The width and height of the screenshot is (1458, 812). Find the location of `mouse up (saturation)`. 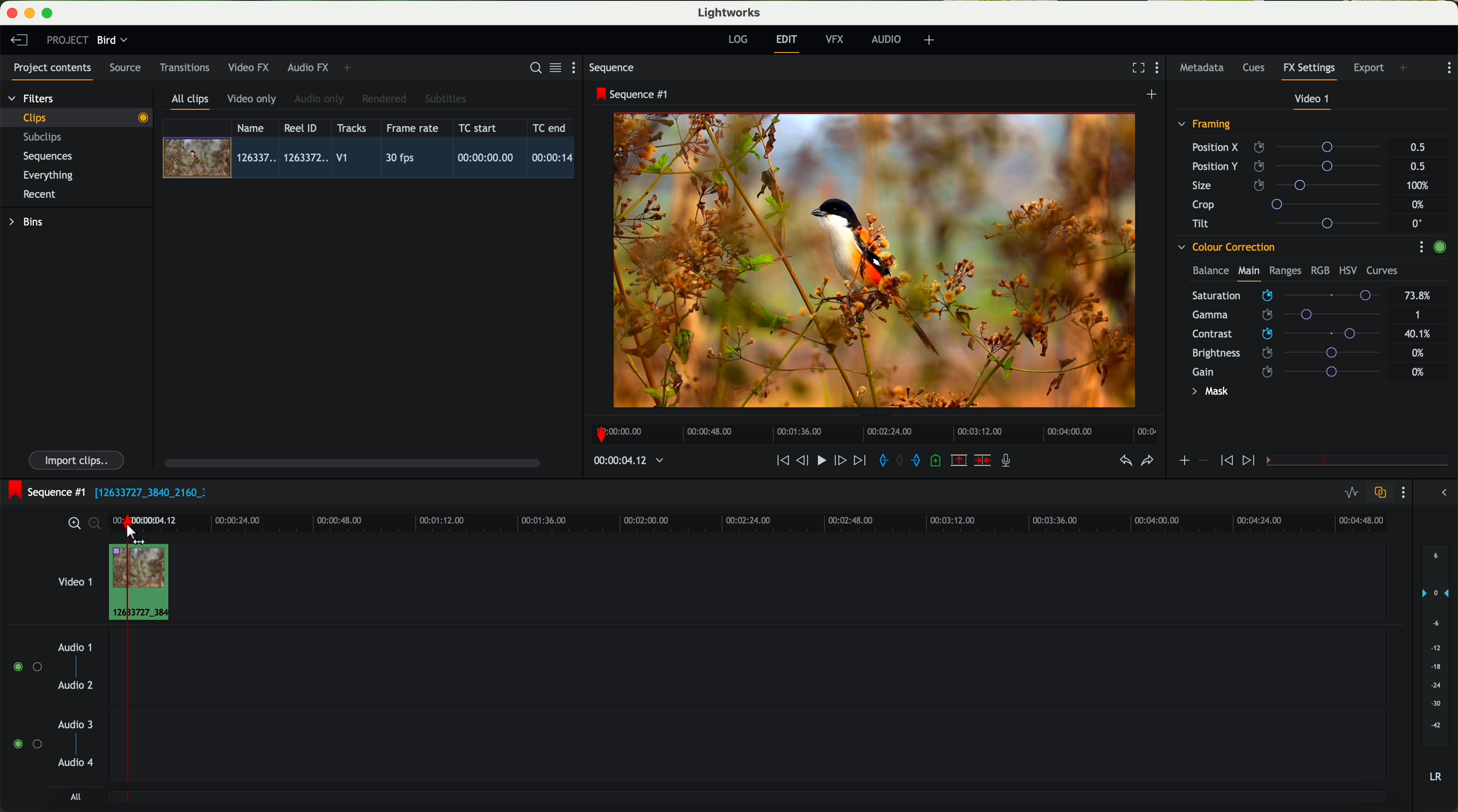

mouse up (saturation) is located at coordinates (1287, 295).